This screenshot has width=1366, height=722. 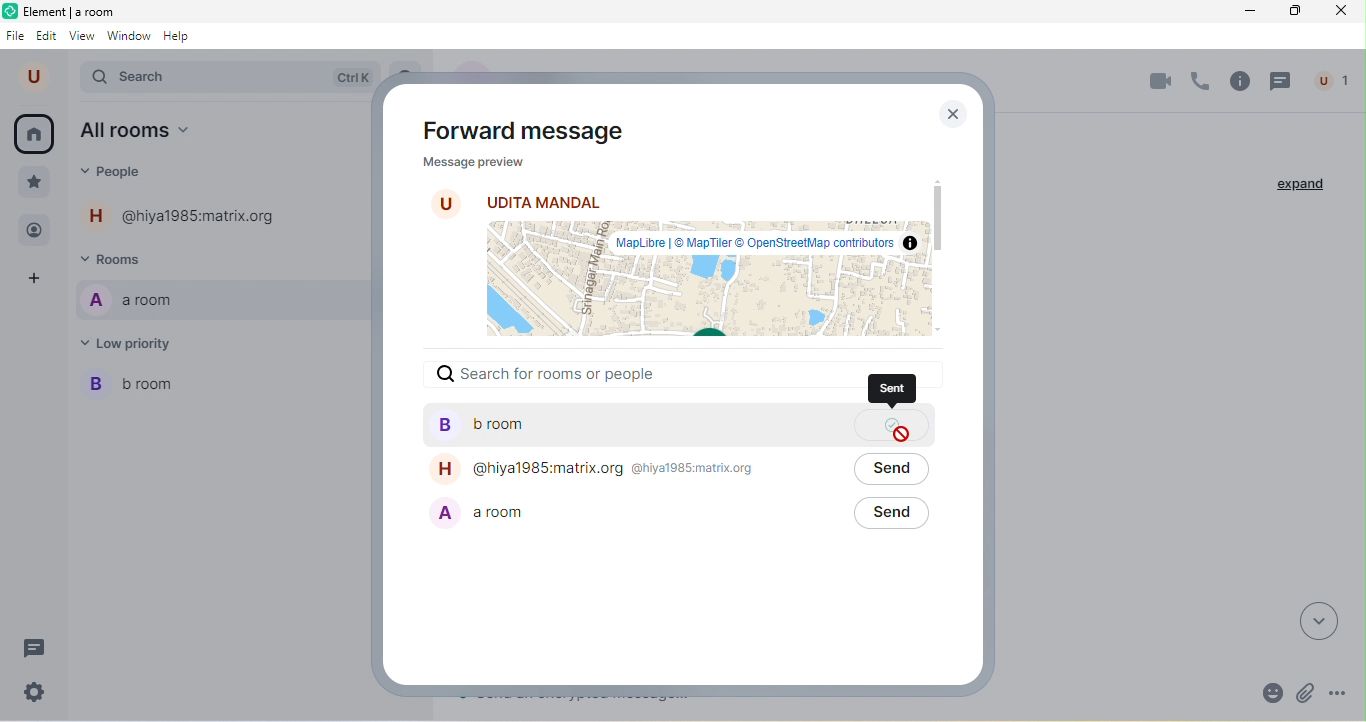 What do you see at coordinates (84, 37) in the screenshot?
I see `view` at bounding box center [84, 37].